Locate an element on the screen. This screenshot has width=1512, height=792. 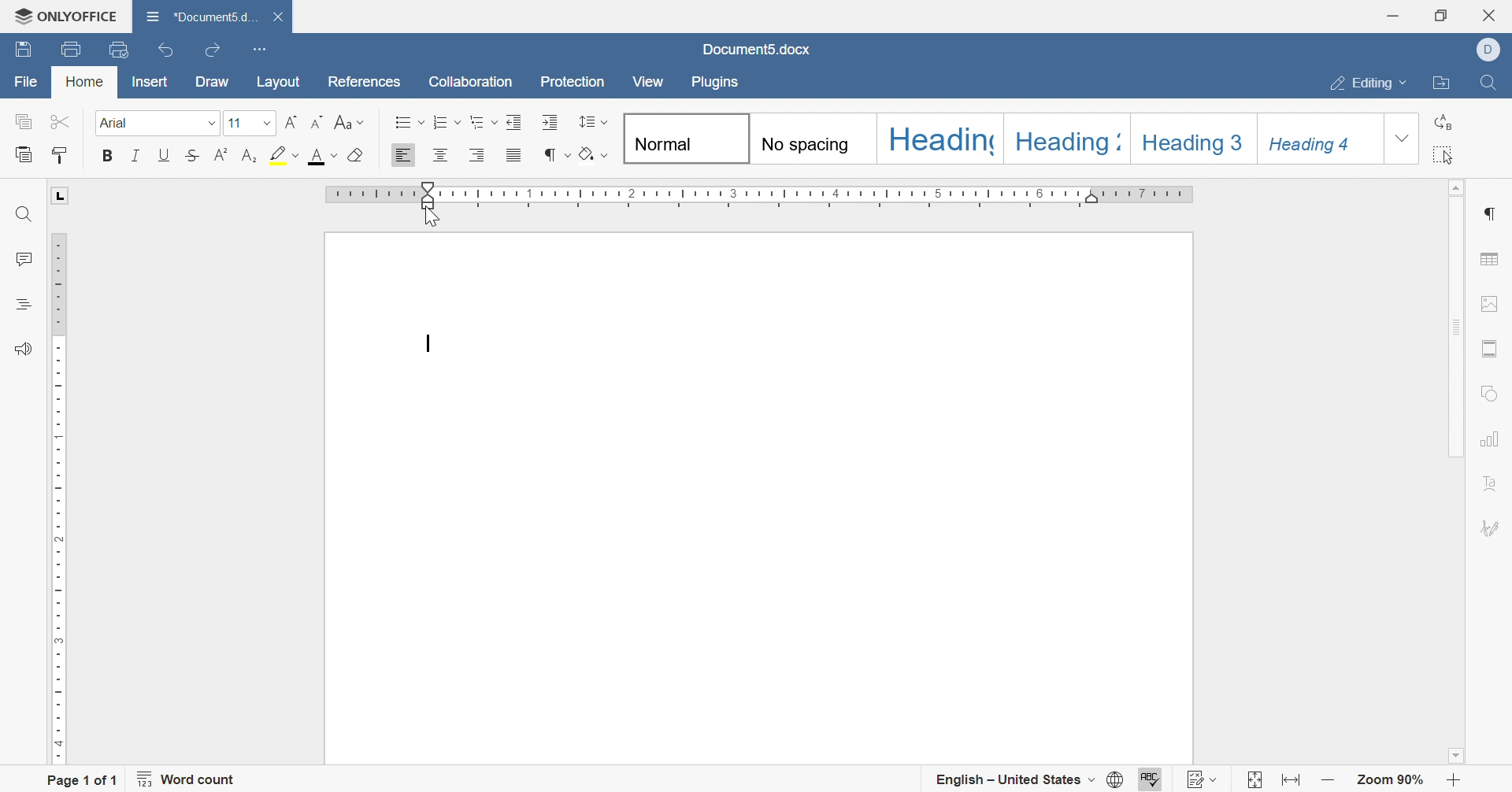
set text language is located at coordinates (1017, 778).